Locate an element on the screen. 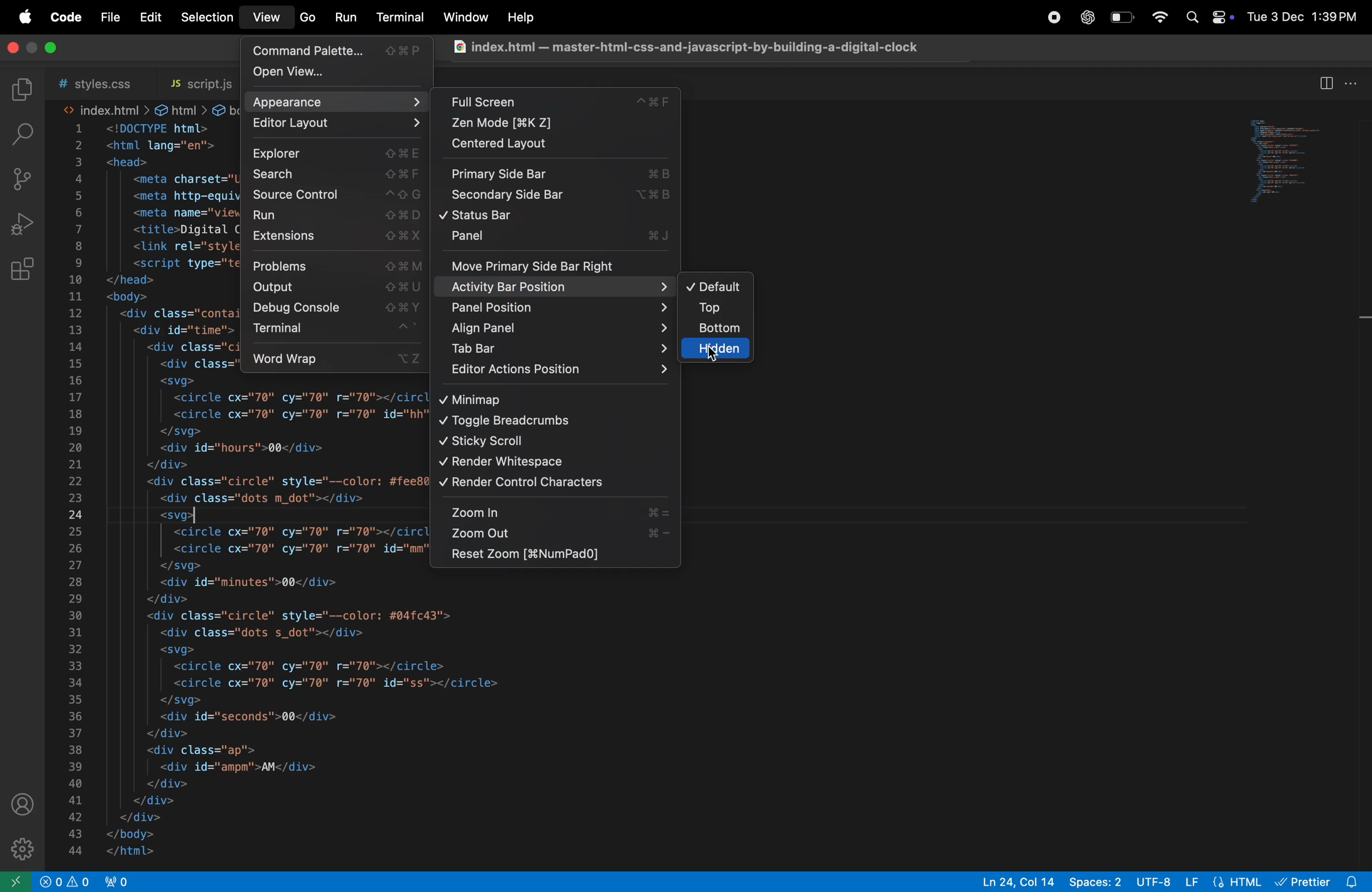 The height and width of the screenshot is (892, 1372). html is located at coordinates (179, 109).